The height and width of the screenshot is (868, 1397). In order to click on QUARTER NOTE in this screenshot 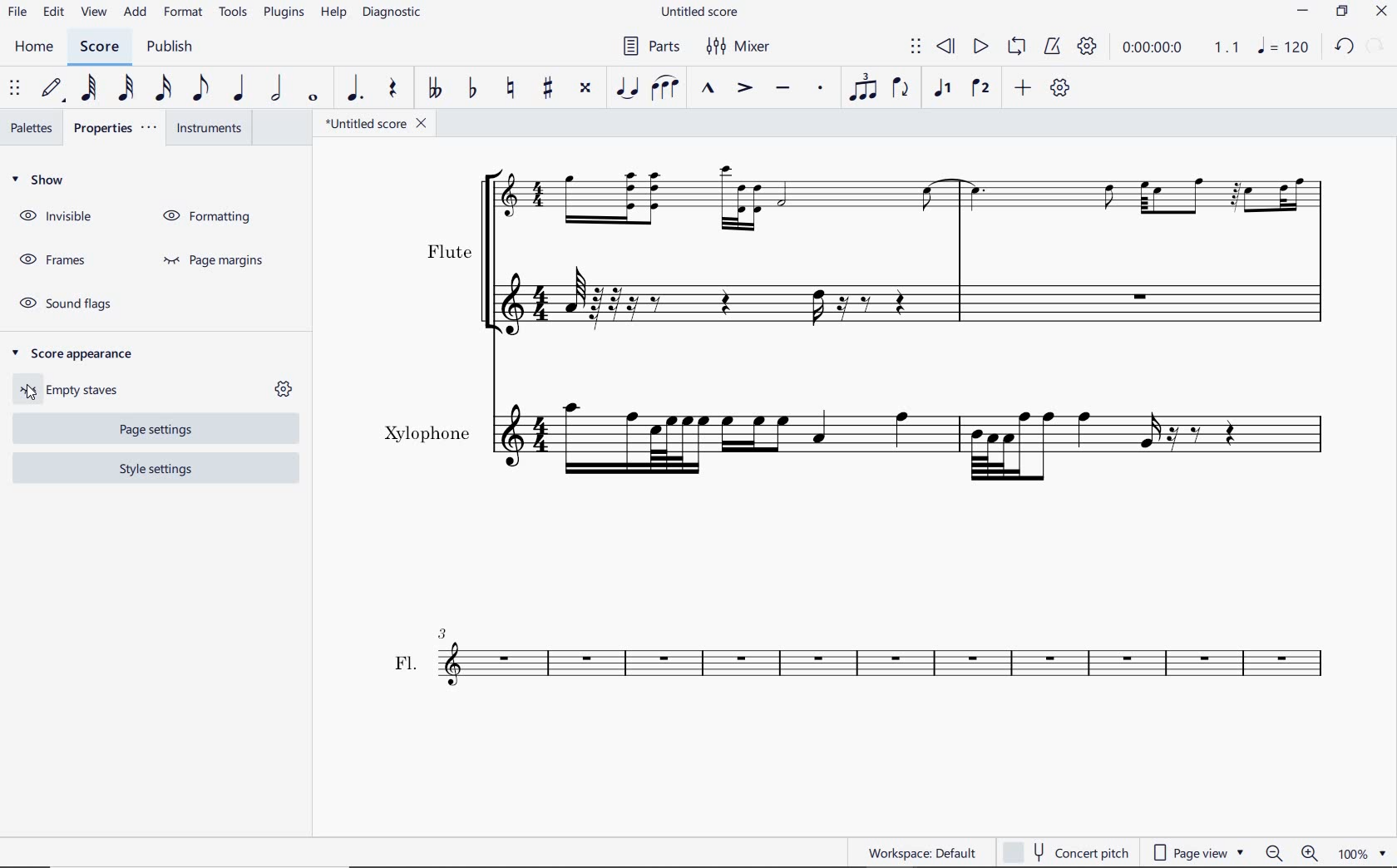, I will do `click(239, 88)`.